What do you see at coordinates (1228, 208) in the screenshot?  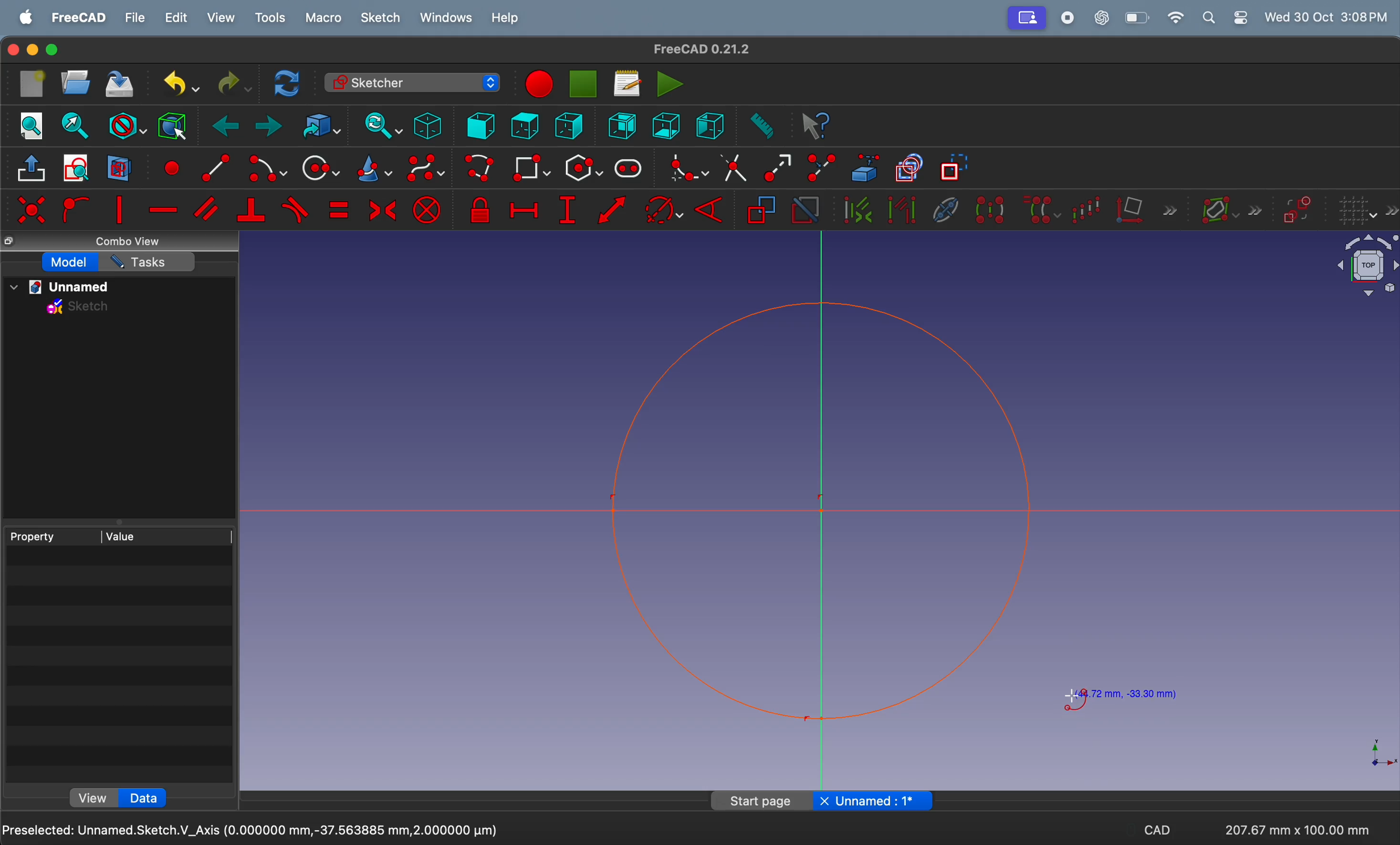 I see `show information layer` at bounding box center [1228, 208].